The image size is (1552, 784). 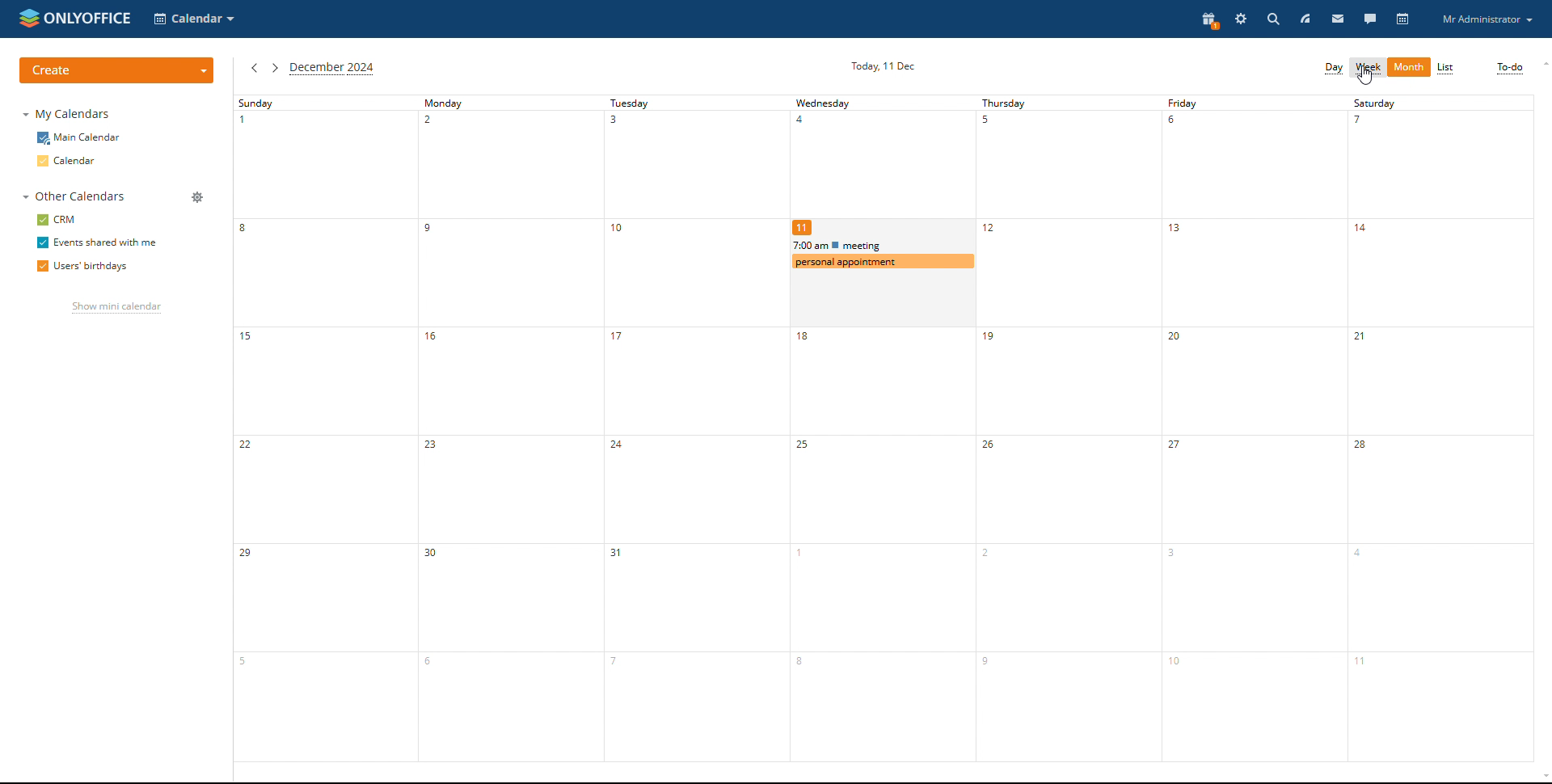 I want to click on settings, so click(x=1241, y=18).